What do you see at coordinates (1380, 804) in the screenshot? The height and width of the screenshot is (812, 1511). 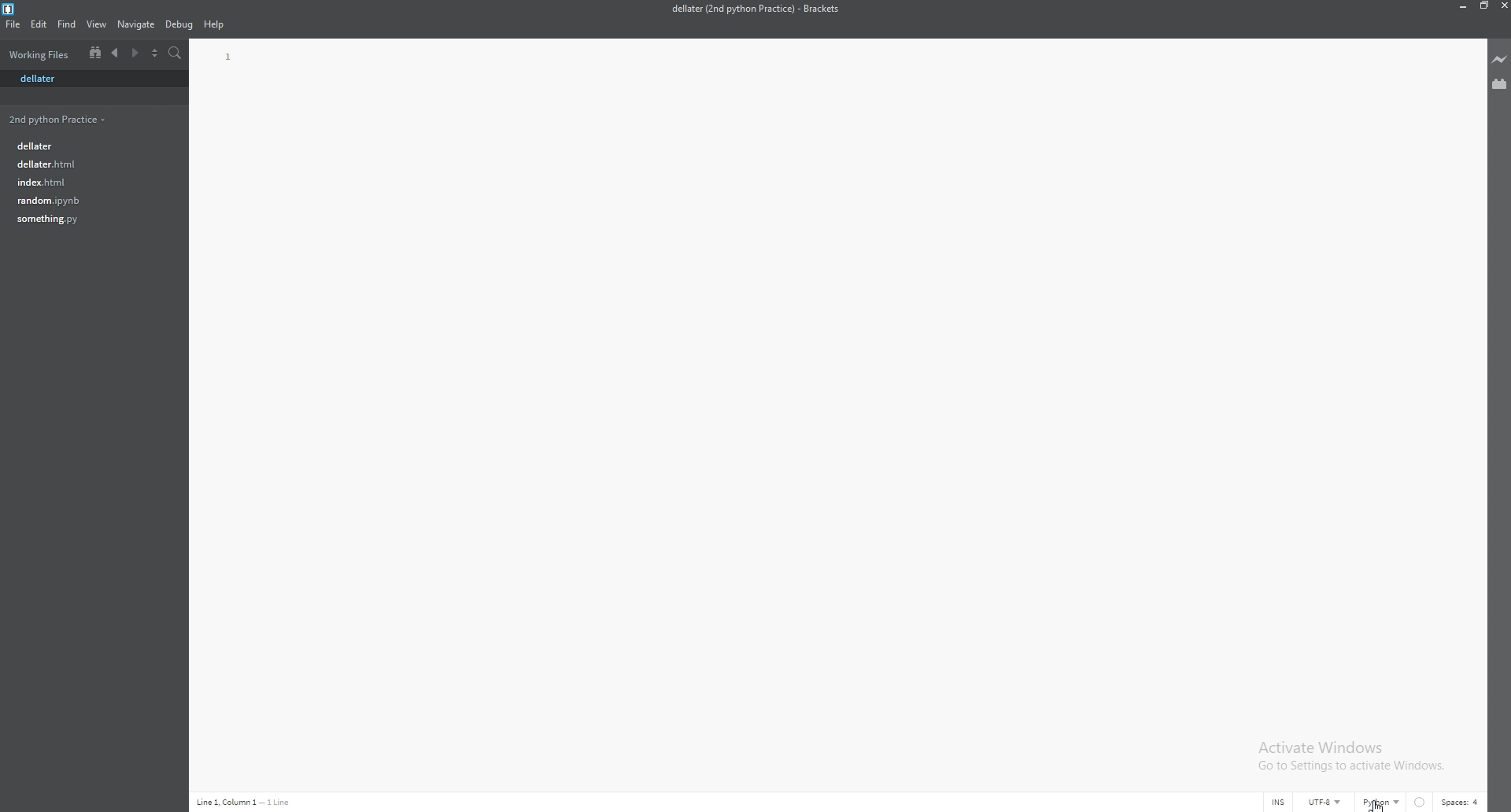 I see `language` at bounding box center [1380, 804].